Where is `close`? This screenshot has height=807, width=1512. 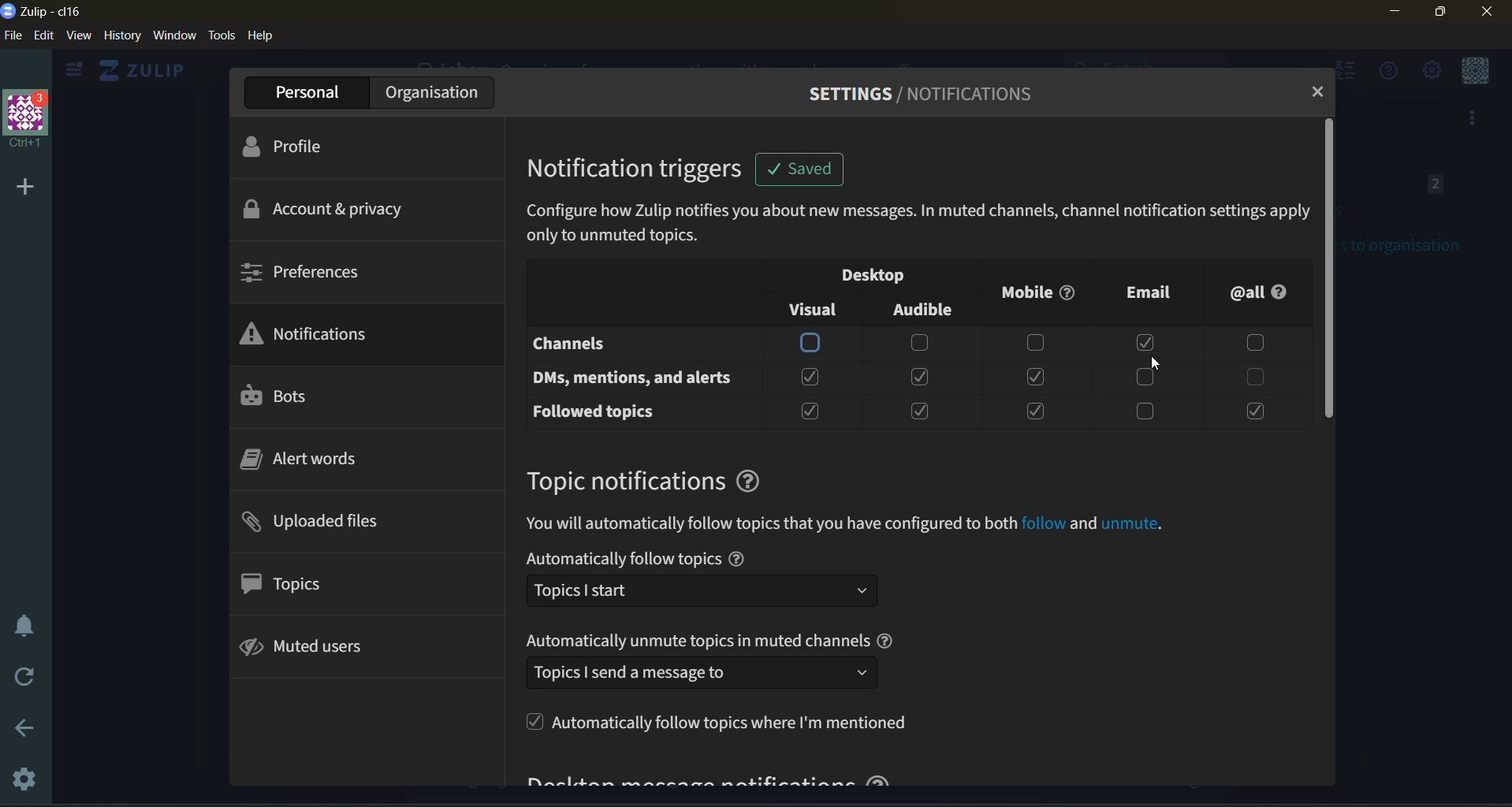
close is located at coordinates (1489, 12).